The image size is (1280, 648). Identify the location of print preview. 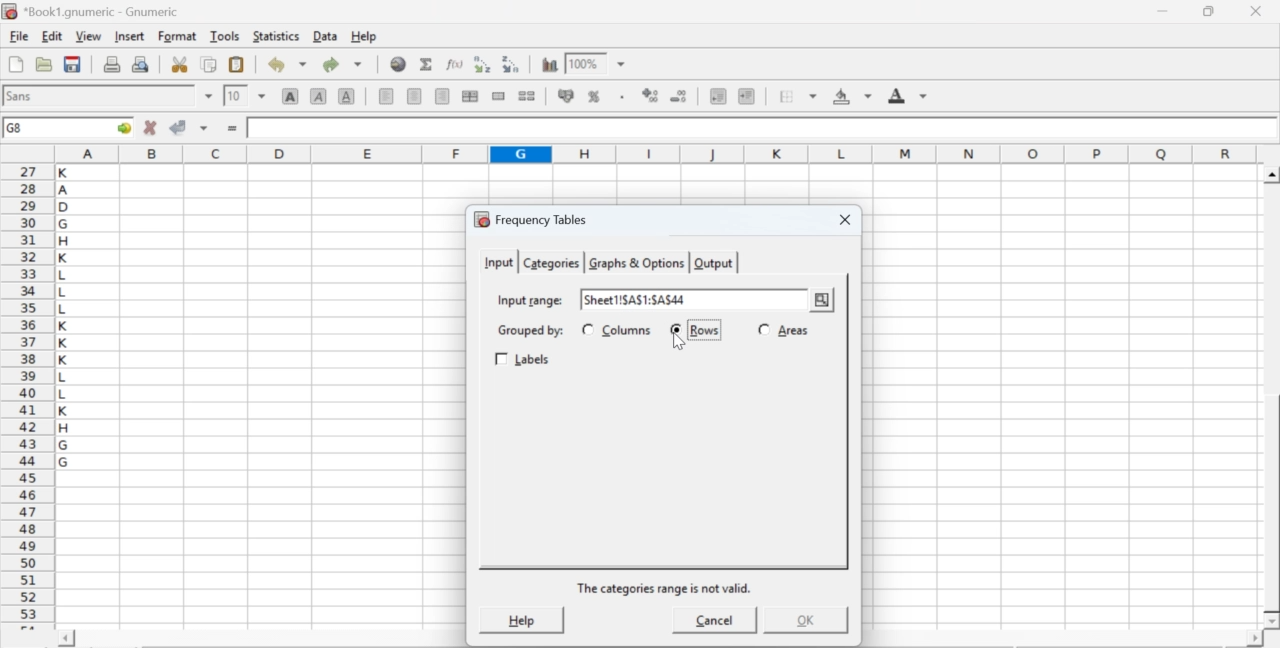
(141, 63).